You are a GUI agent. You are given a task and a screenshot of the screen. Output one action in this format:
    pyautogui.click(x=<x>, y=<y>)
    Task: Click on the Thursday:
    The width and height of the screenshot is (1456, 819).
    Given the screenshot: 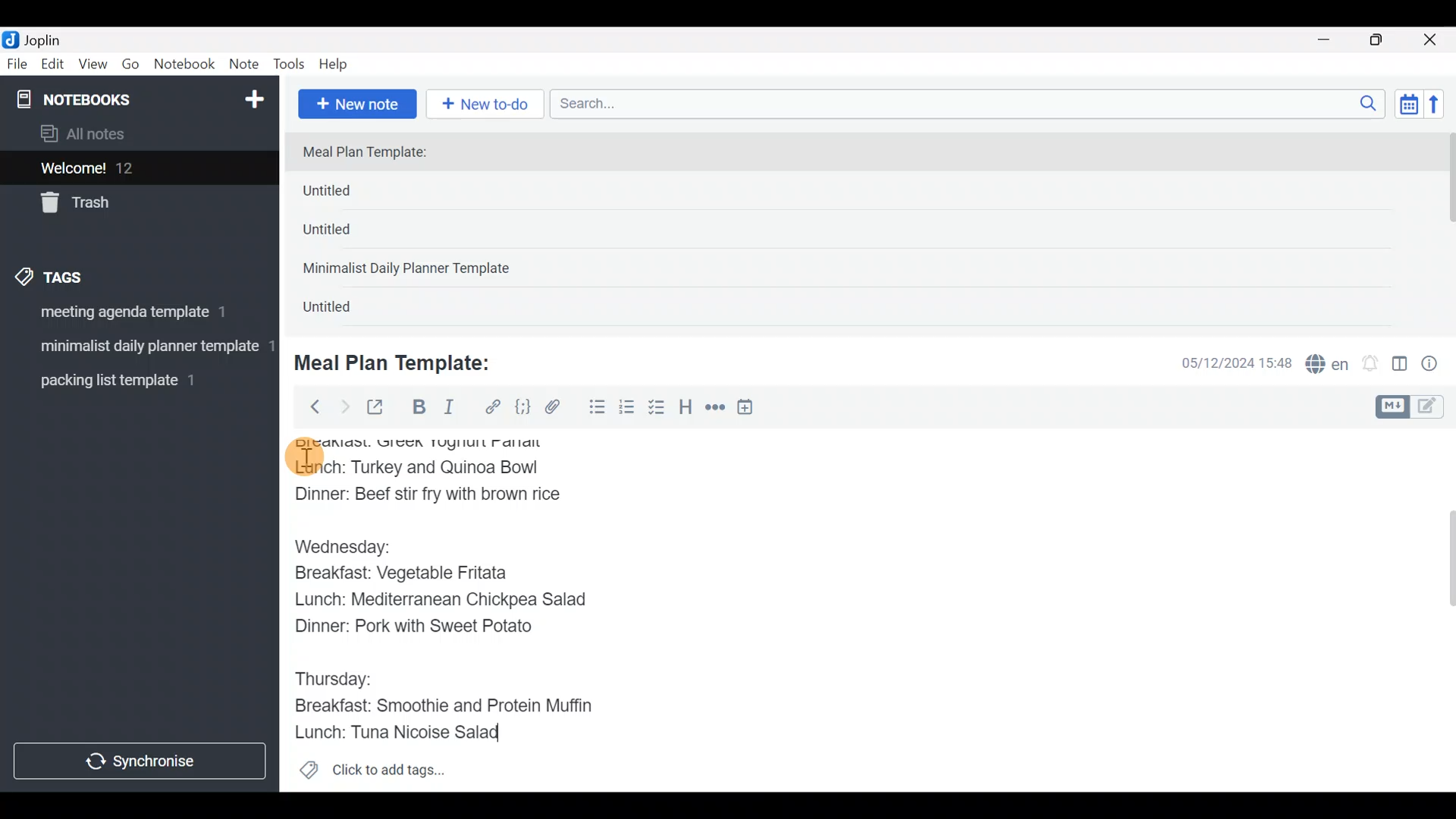 What is the action you would take?
    pyautogui.click(x=340, y=676)
    